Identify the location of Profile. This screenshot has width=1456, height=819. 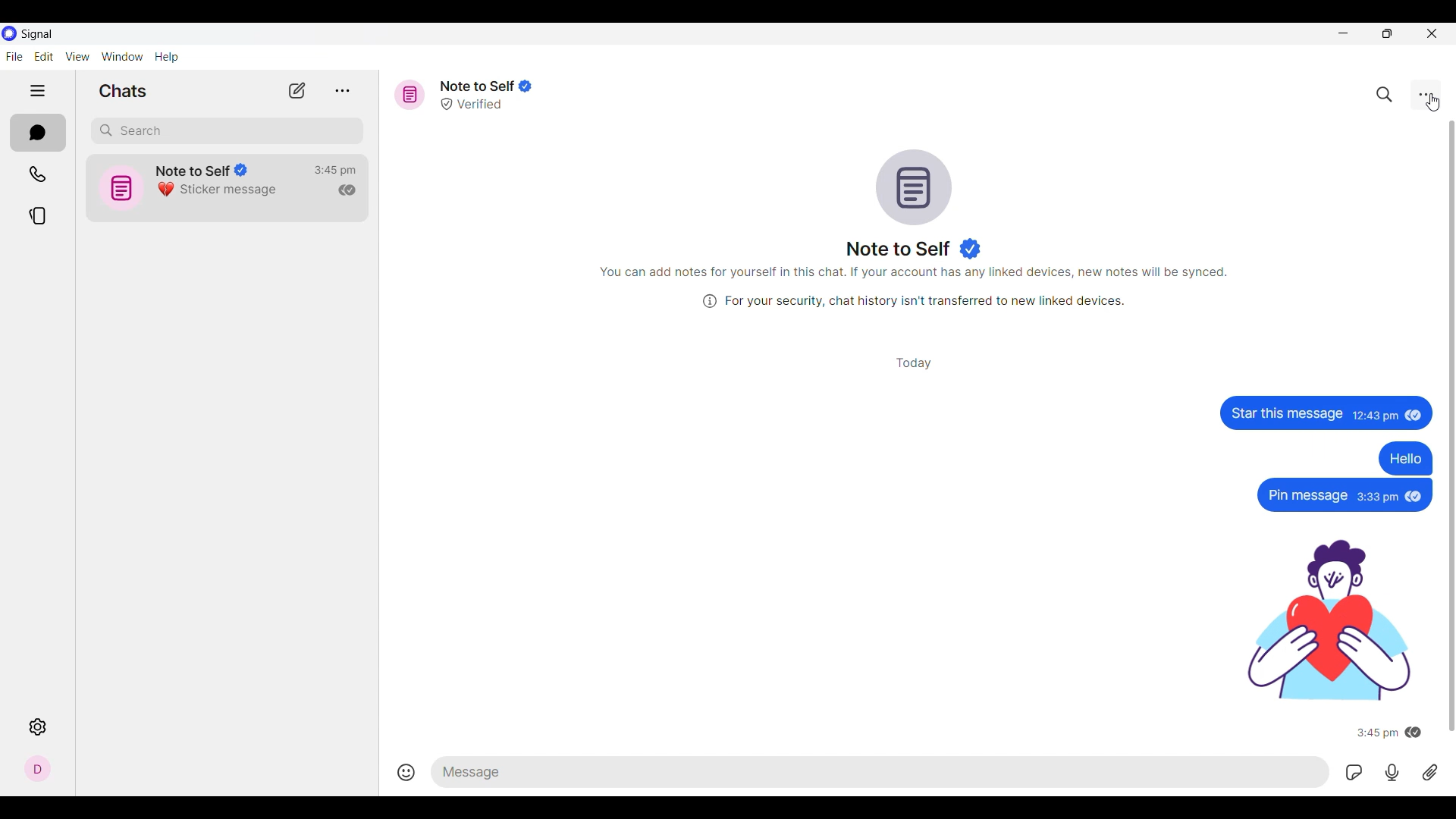
(37, 768).